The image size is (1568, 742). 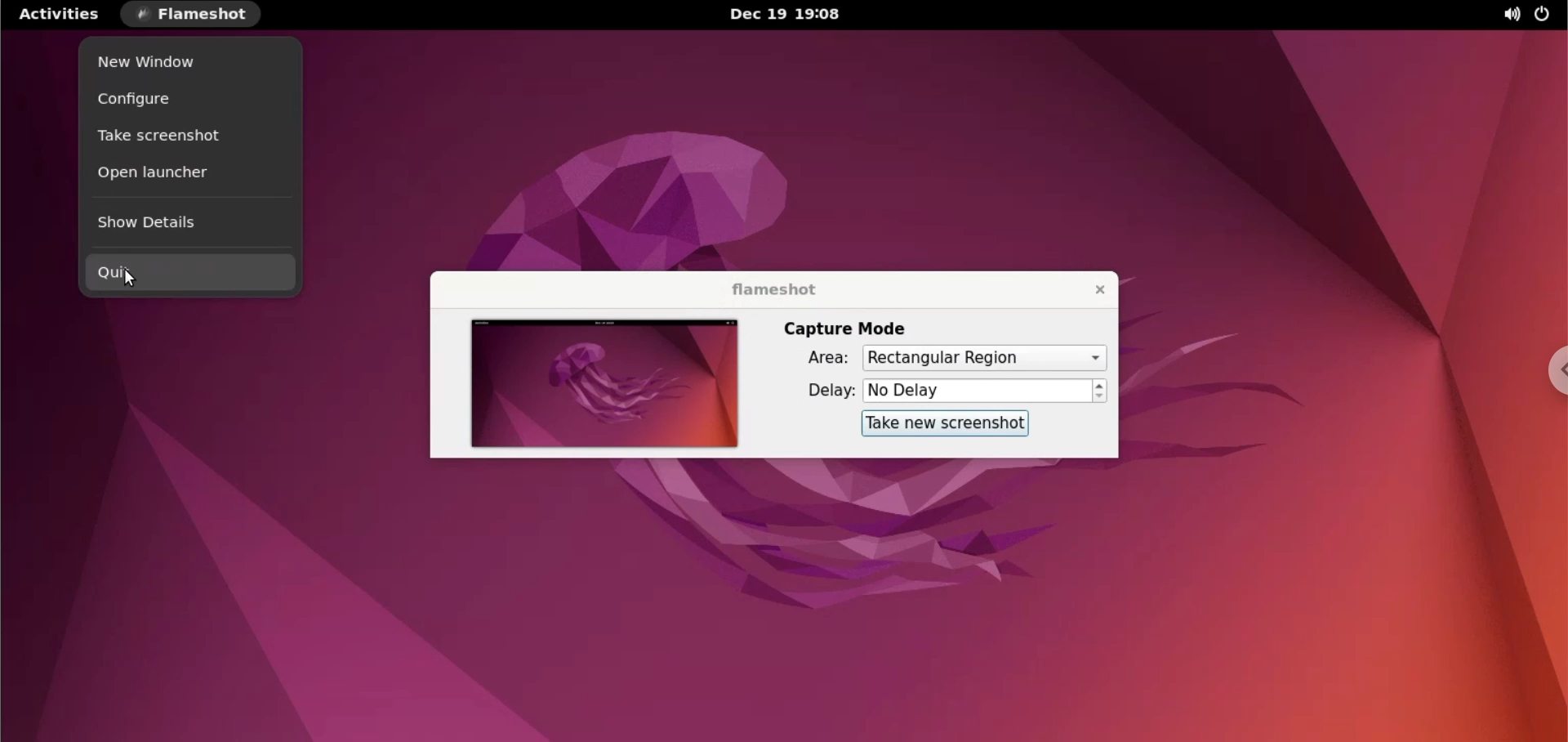 I want to click on chrome options, so click(x=1543, y=370).